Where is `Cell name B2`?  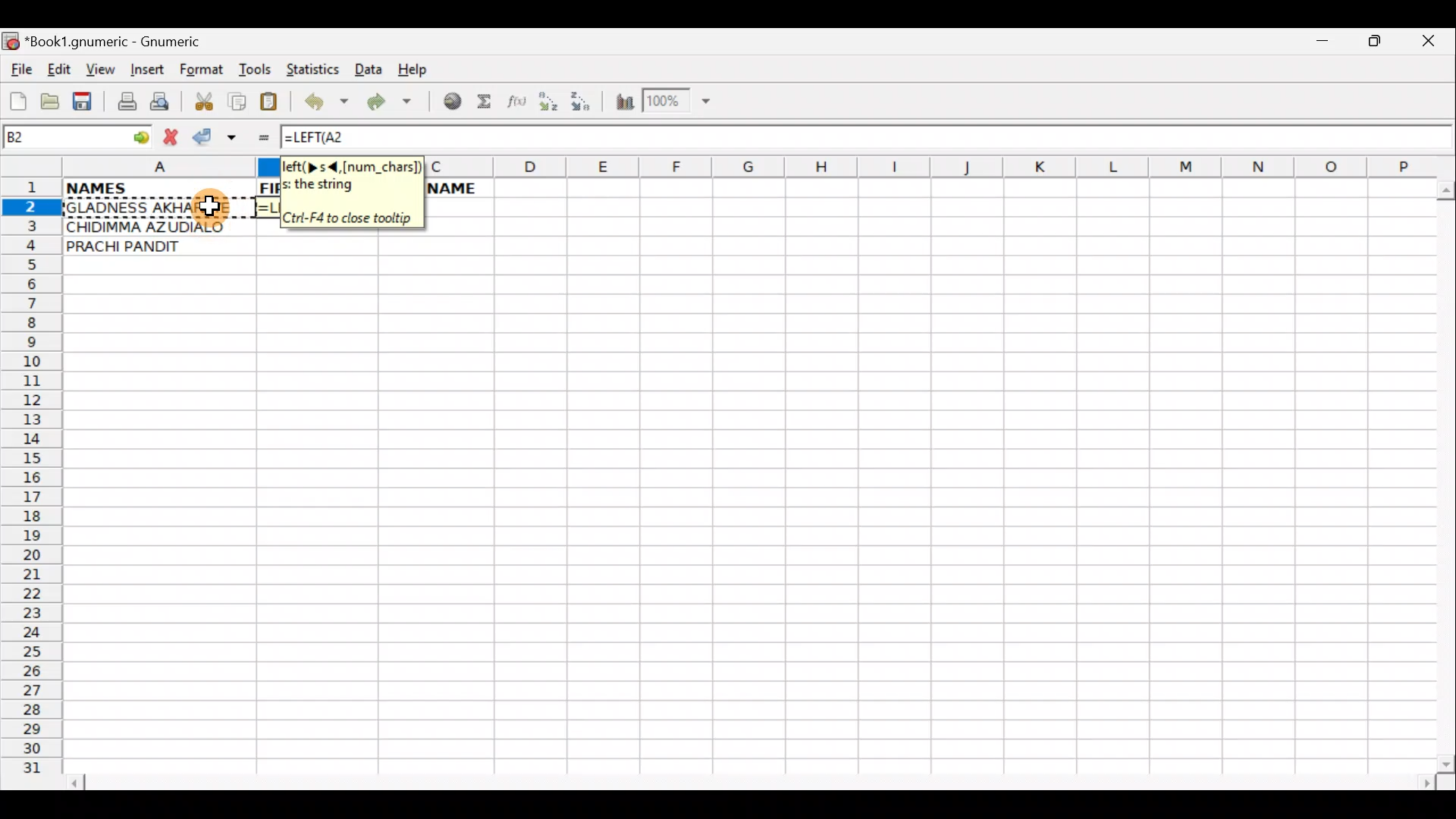
Cell name B2 is located at coordinates (58, 137).